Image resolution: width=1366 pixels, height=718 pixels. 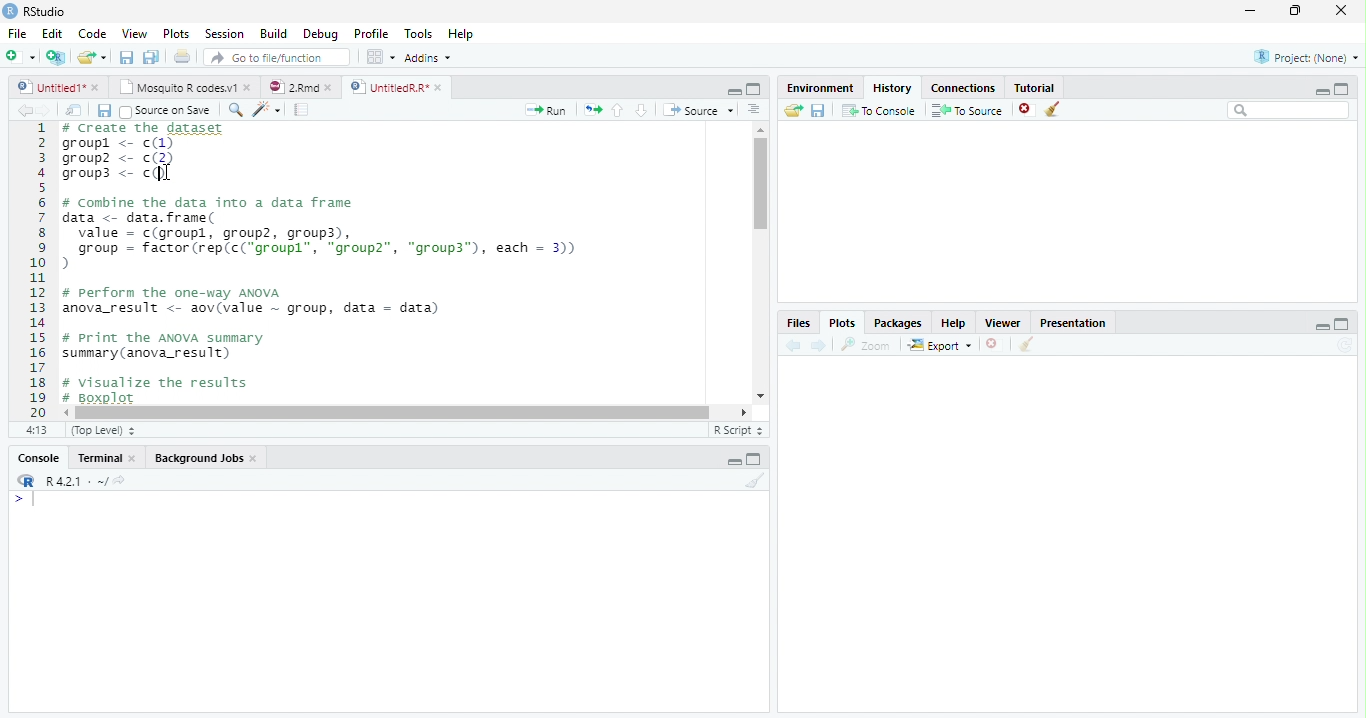 I want to click on Terminal, so click(x=108, y=458).